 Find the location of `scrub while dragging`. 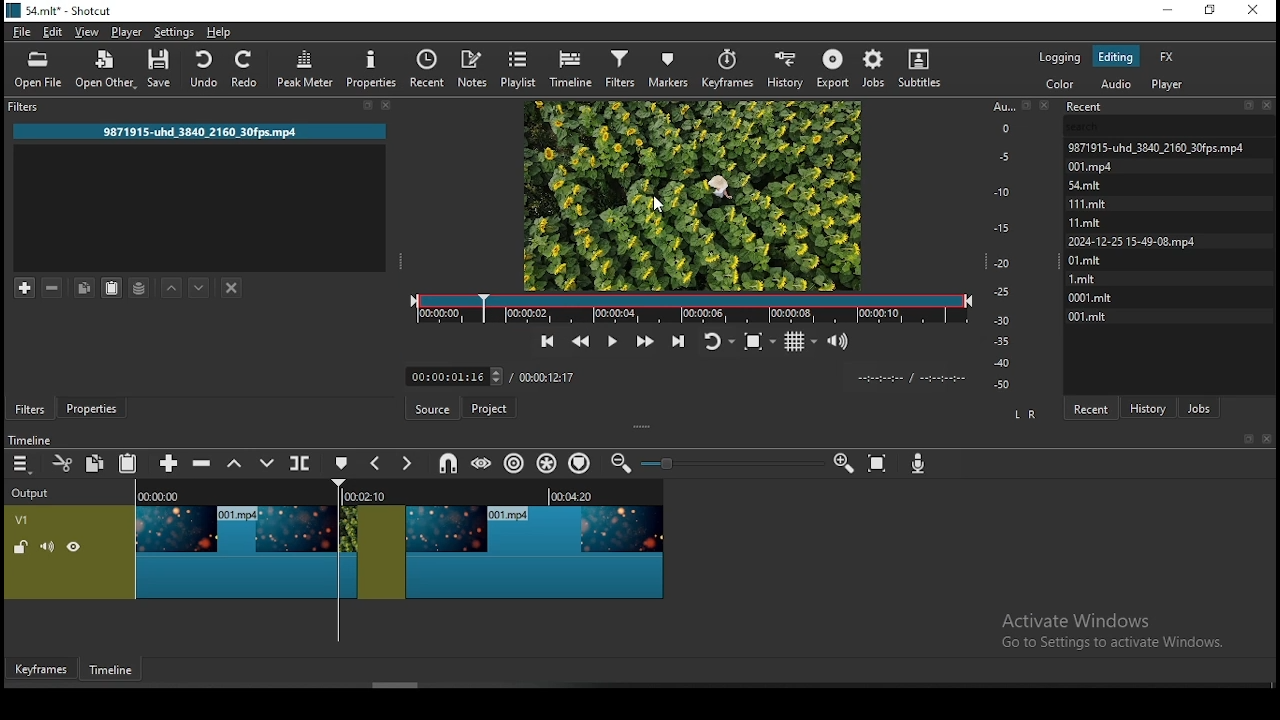

scrub while dragging is located at coordinates (482, 461).